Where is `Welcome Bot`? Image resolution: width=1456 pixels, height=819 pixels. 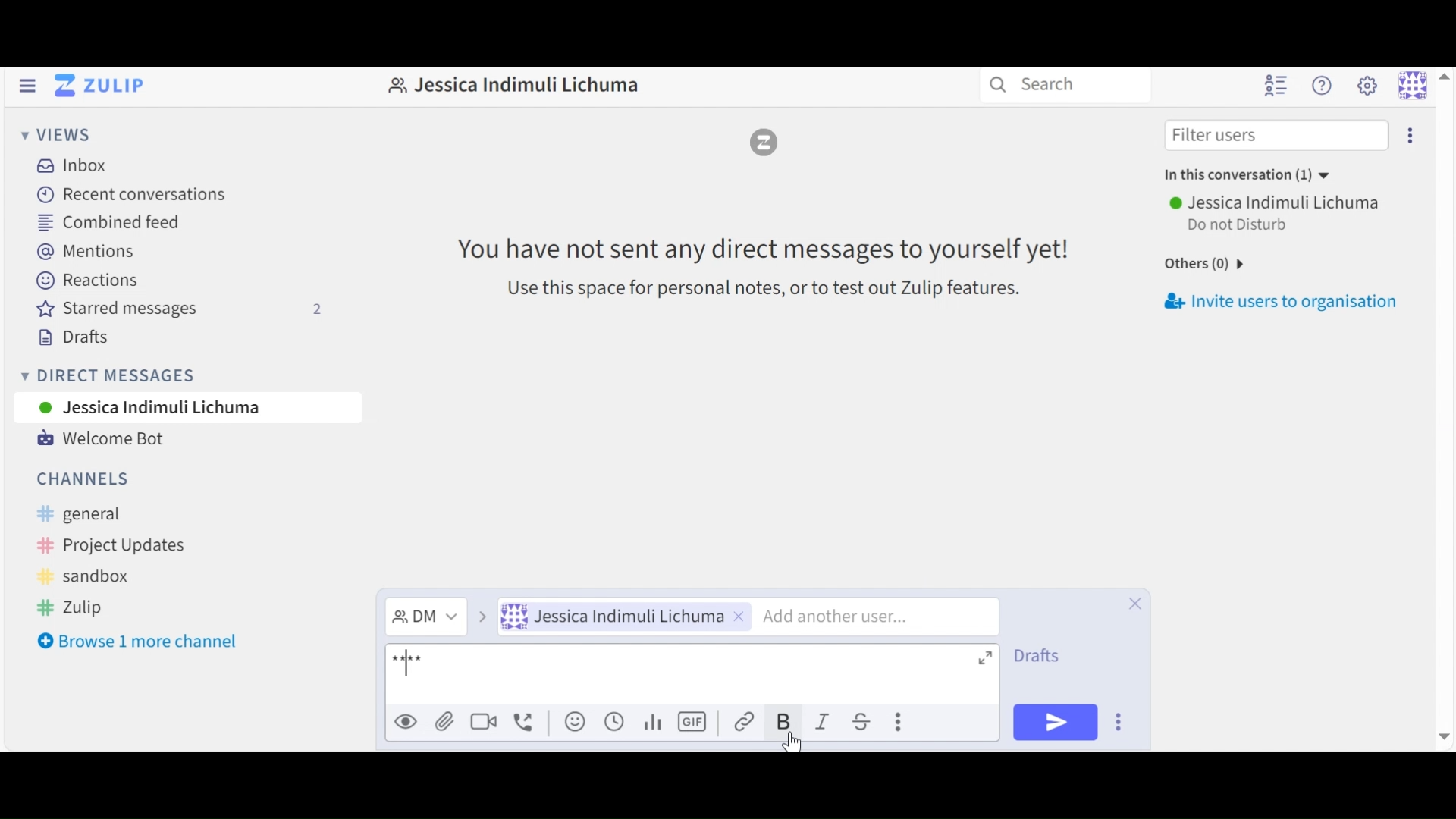 Welcome Bot is located at coordinates (101, 441).